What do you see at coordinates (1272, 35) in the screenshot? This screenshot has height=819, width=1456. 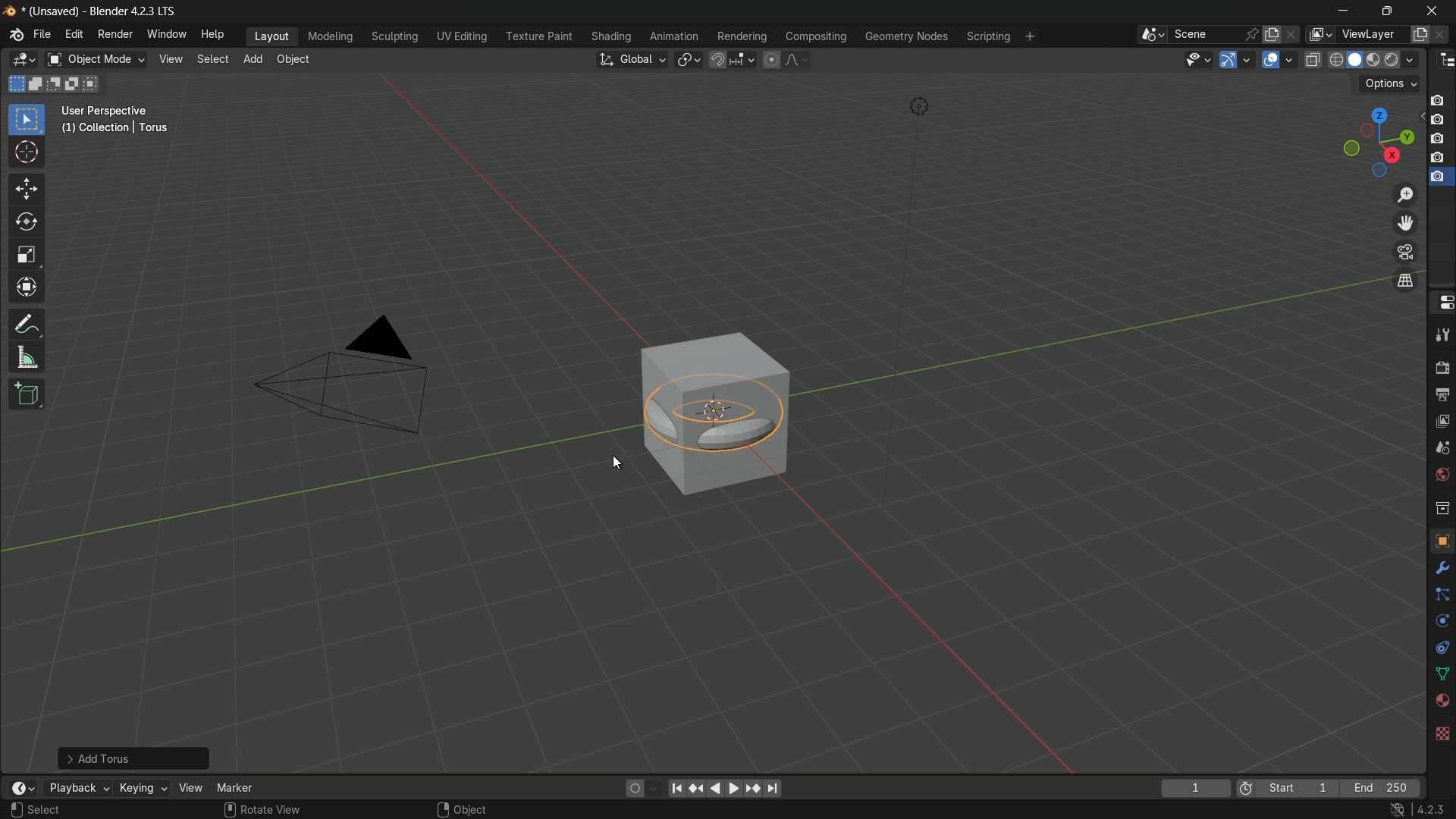 I see `add scene` at bounding box center [1272, 35].